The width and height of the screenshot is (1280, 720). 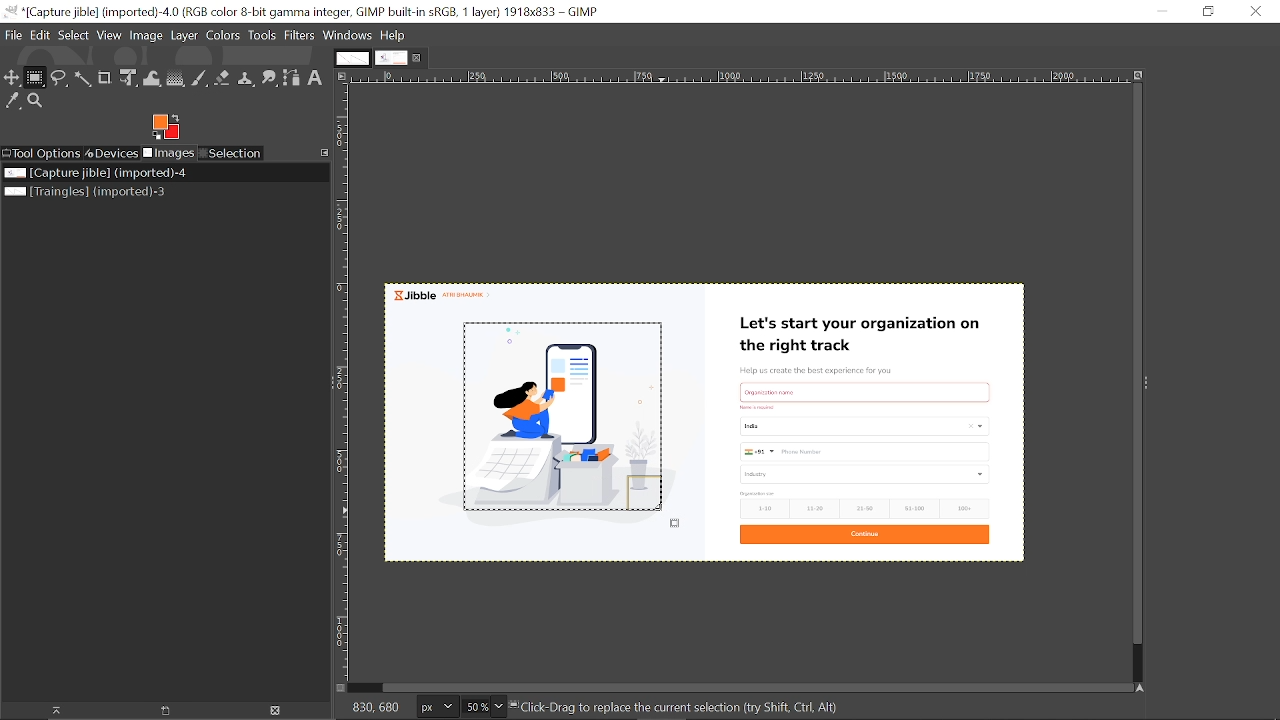 What do you see at coordinates (1153, 384) in the screenshot?
I see `Sidebar menu` at bounding box center [1153, 384].